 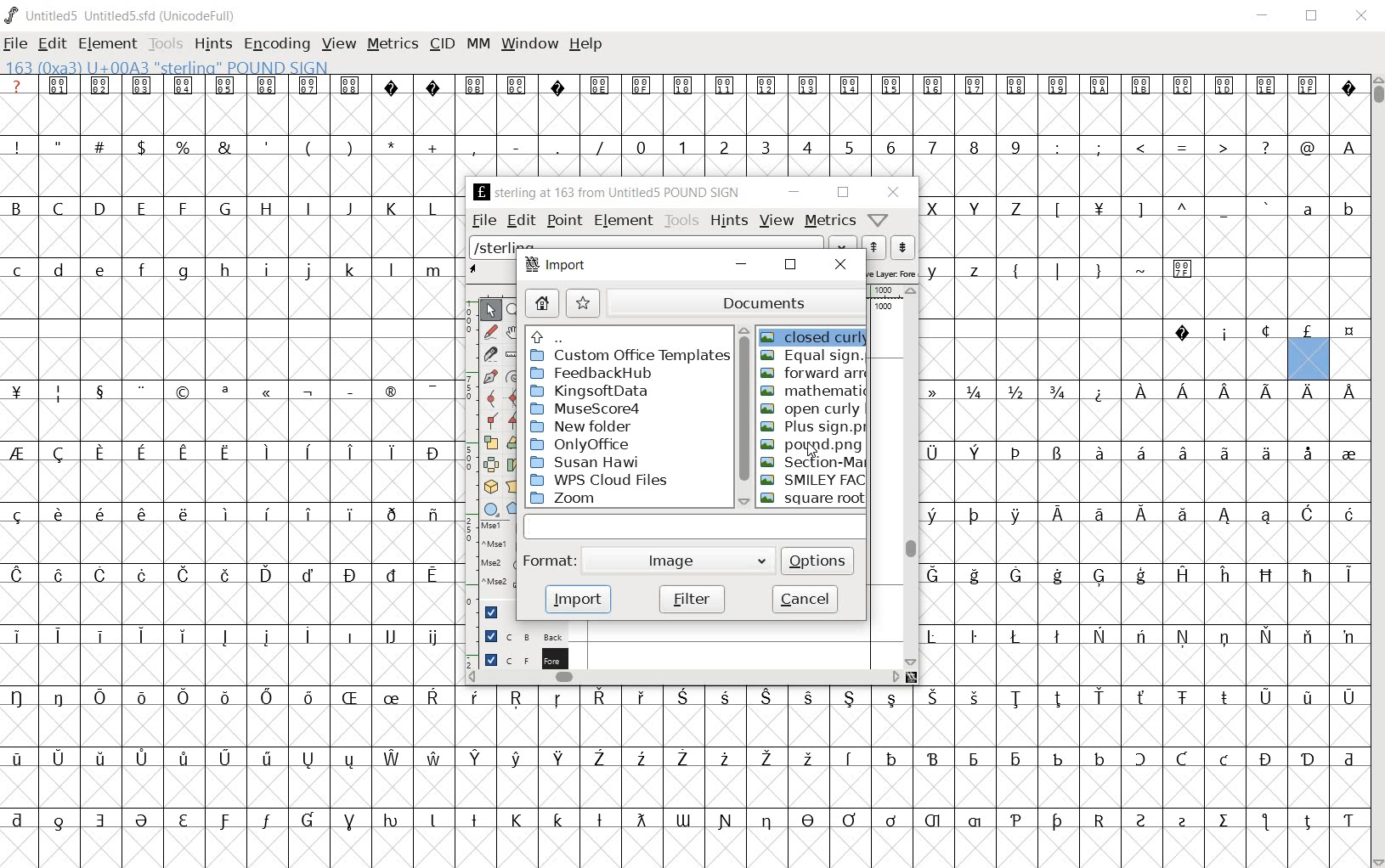 What do you see at coordinates (517, 820) in the screenshot?
I see `Symbol` at bounding box center [517, 820].